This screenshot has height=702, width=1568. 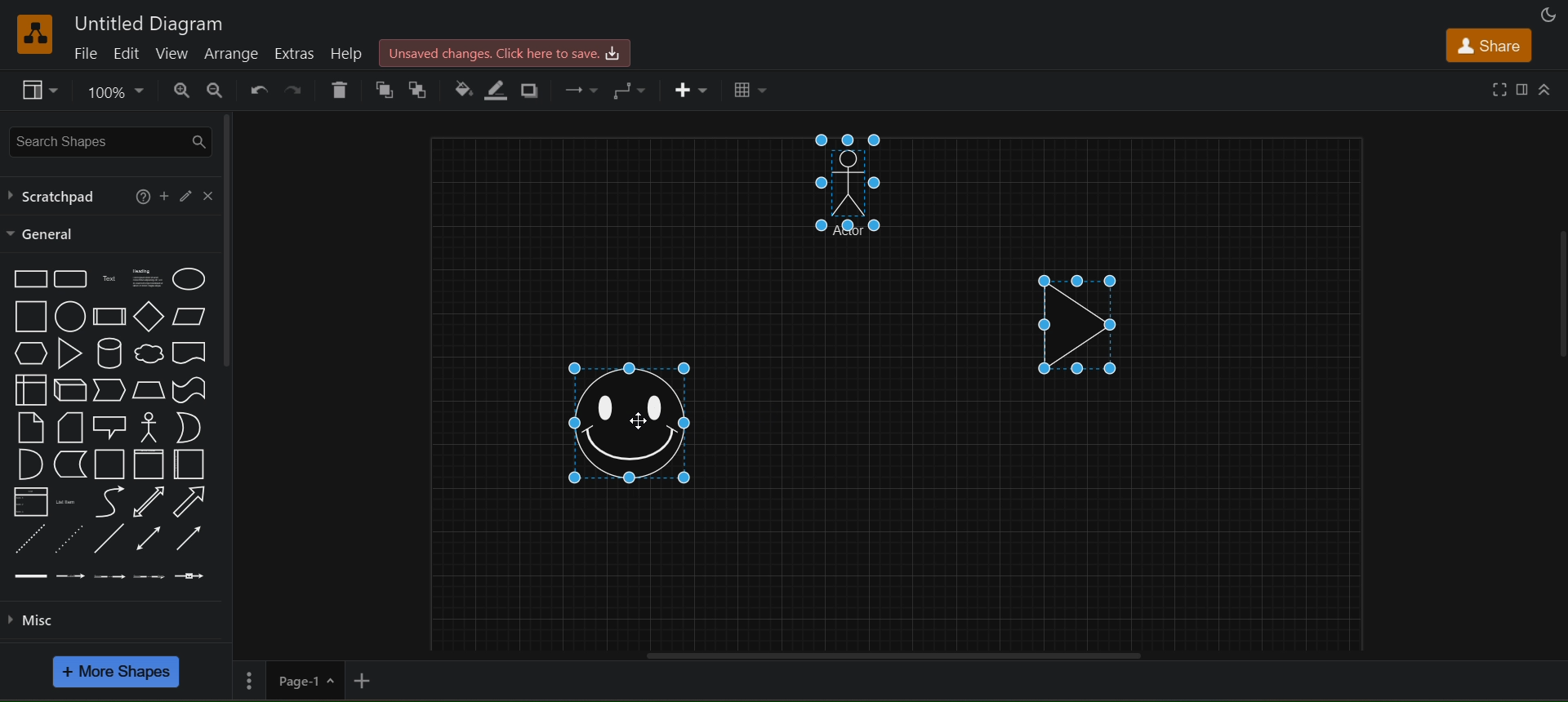 What do you see at coordinates (149, 280) in the screenshot?
I see `heading` at bounding box center [149, 280].